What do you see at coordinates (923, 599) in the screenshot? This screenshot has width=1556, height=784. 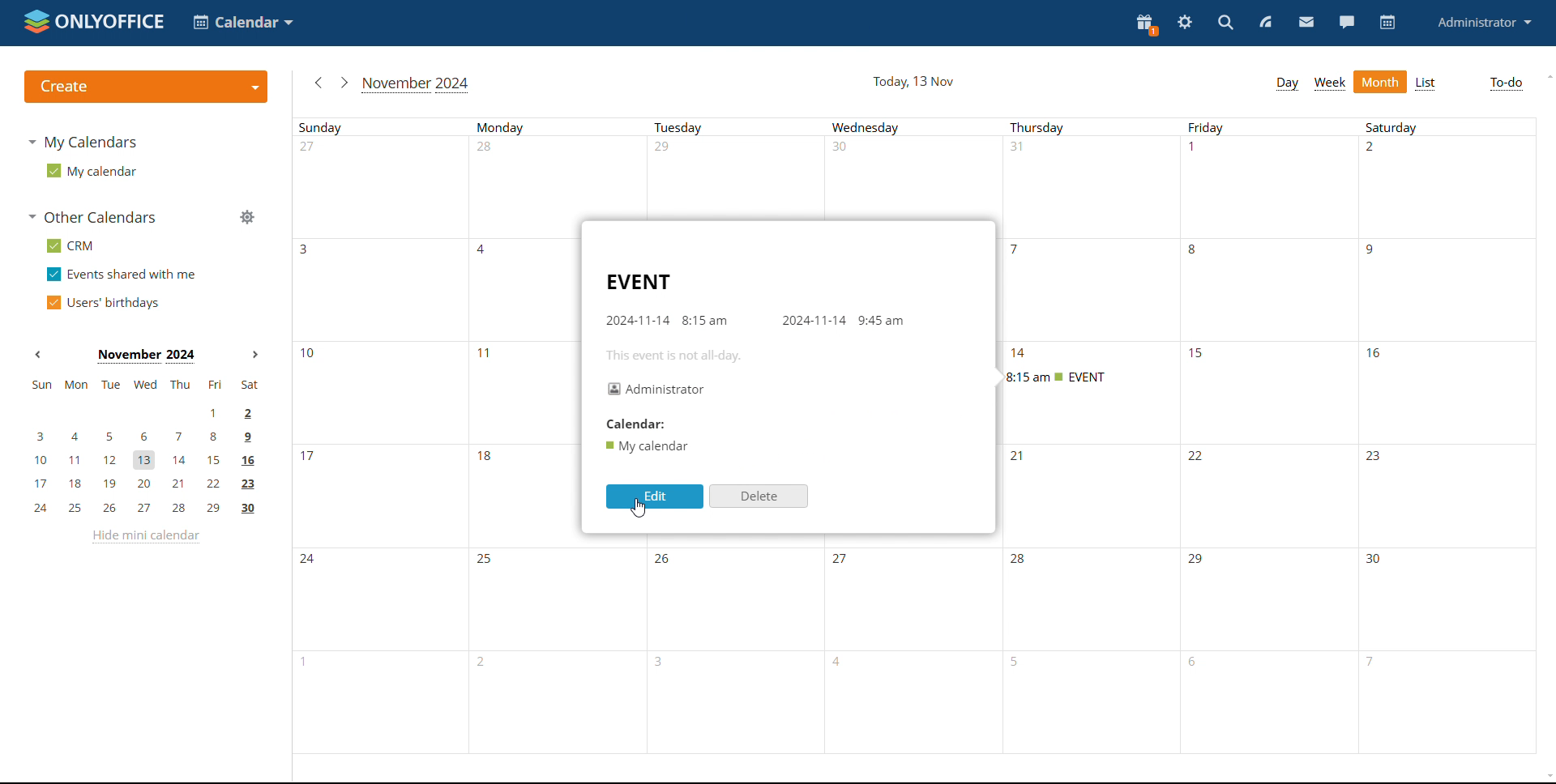 I see `unallocated time slots` at bounding box center [923, 599].